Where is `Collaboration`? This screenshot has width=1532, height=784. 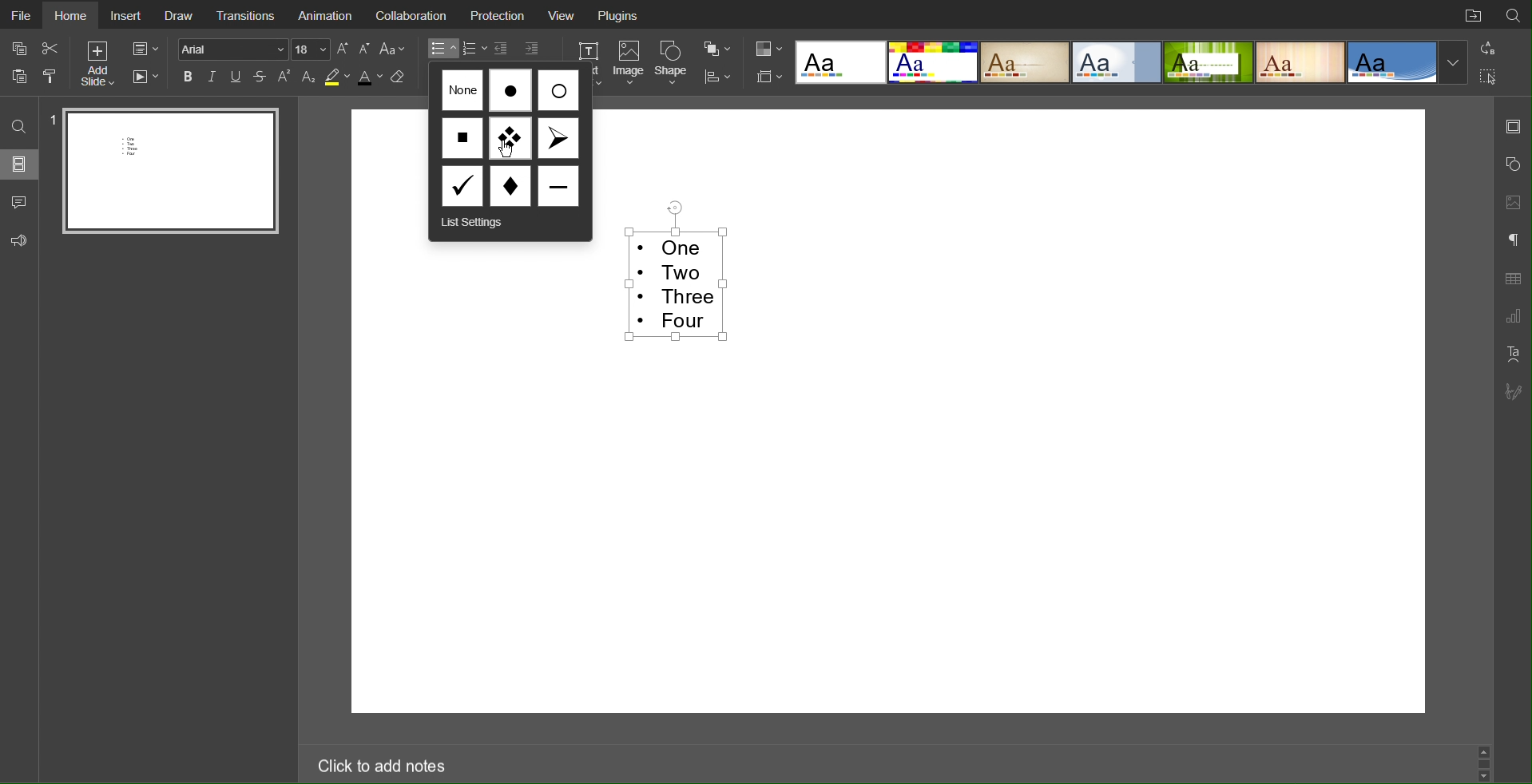
Collaboration is located at coordinates (410, 14).